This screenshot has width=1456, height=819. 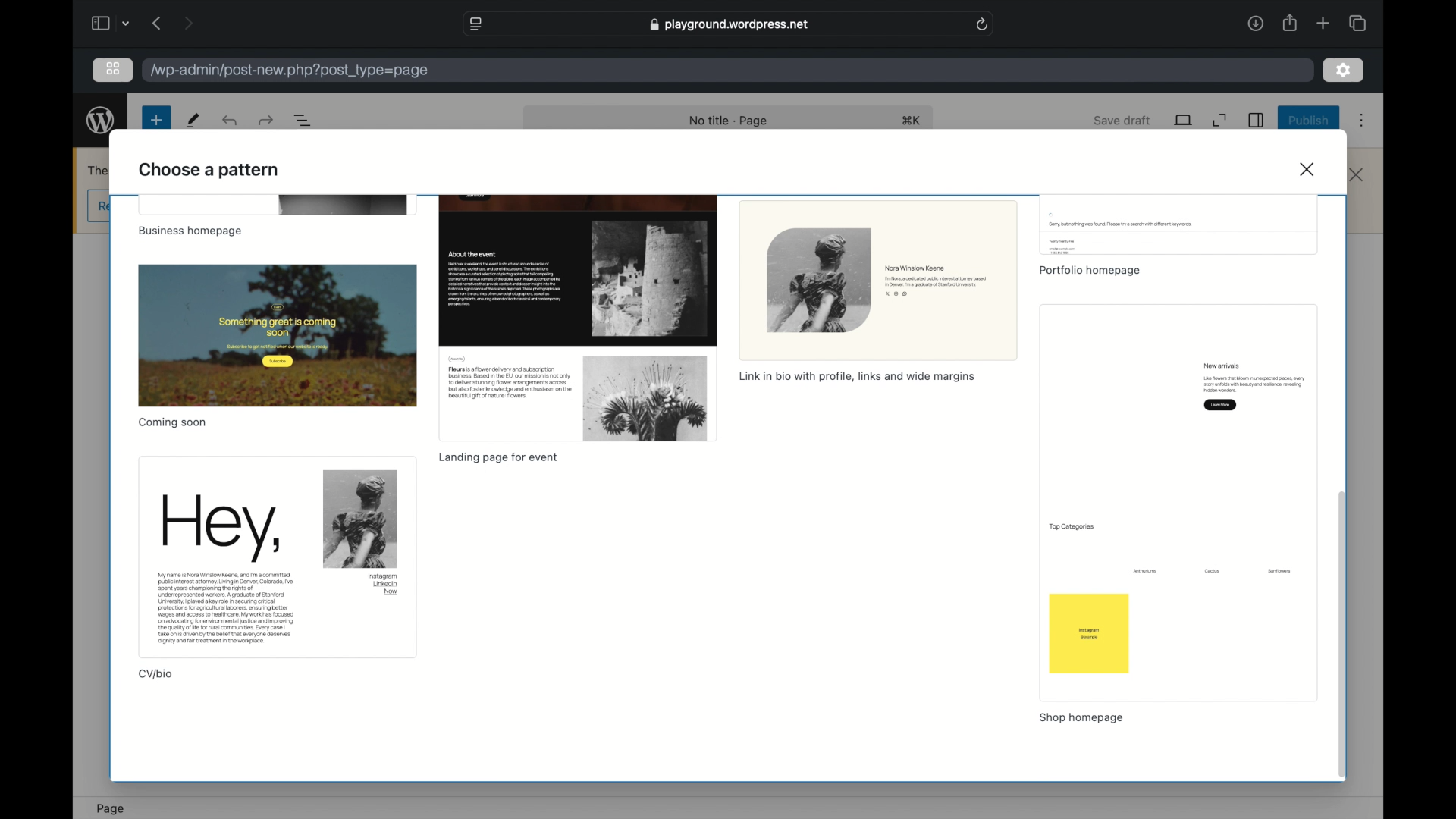 What do you see at coordinates (1361, 120) in the screenshot?
I see `more options` at bounding box center [1361, 120].